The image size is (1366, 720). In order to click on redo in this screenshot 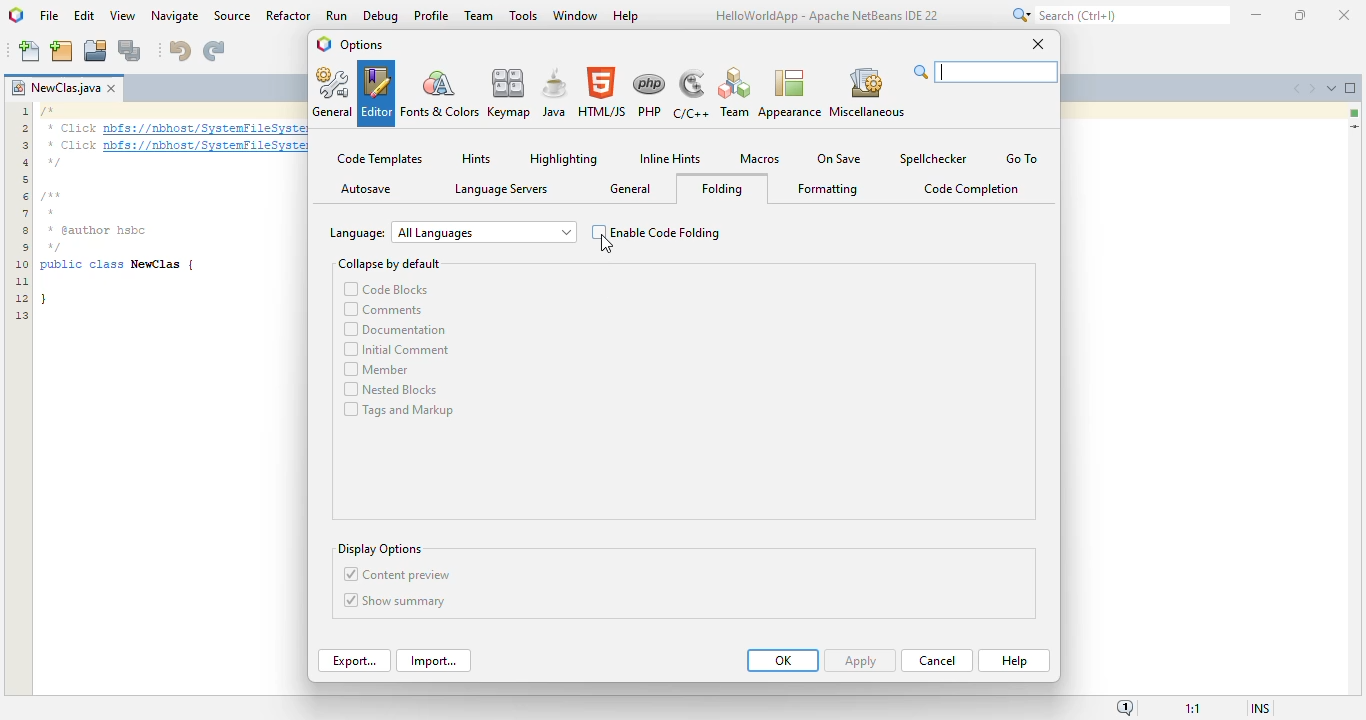, I will do `click(215, 51)`.